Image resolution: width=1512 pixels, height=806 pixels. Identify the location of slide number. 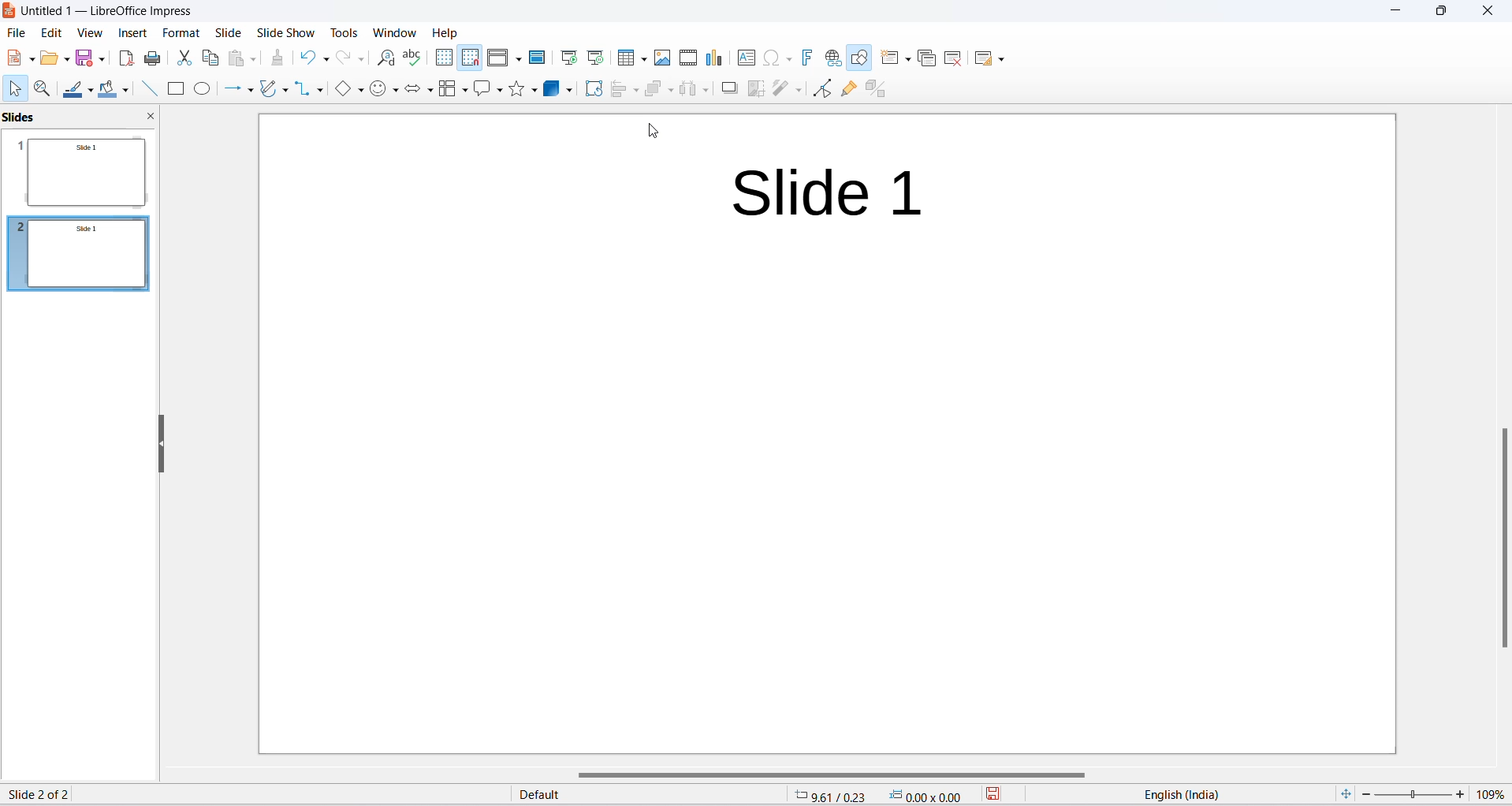
(43, 796).